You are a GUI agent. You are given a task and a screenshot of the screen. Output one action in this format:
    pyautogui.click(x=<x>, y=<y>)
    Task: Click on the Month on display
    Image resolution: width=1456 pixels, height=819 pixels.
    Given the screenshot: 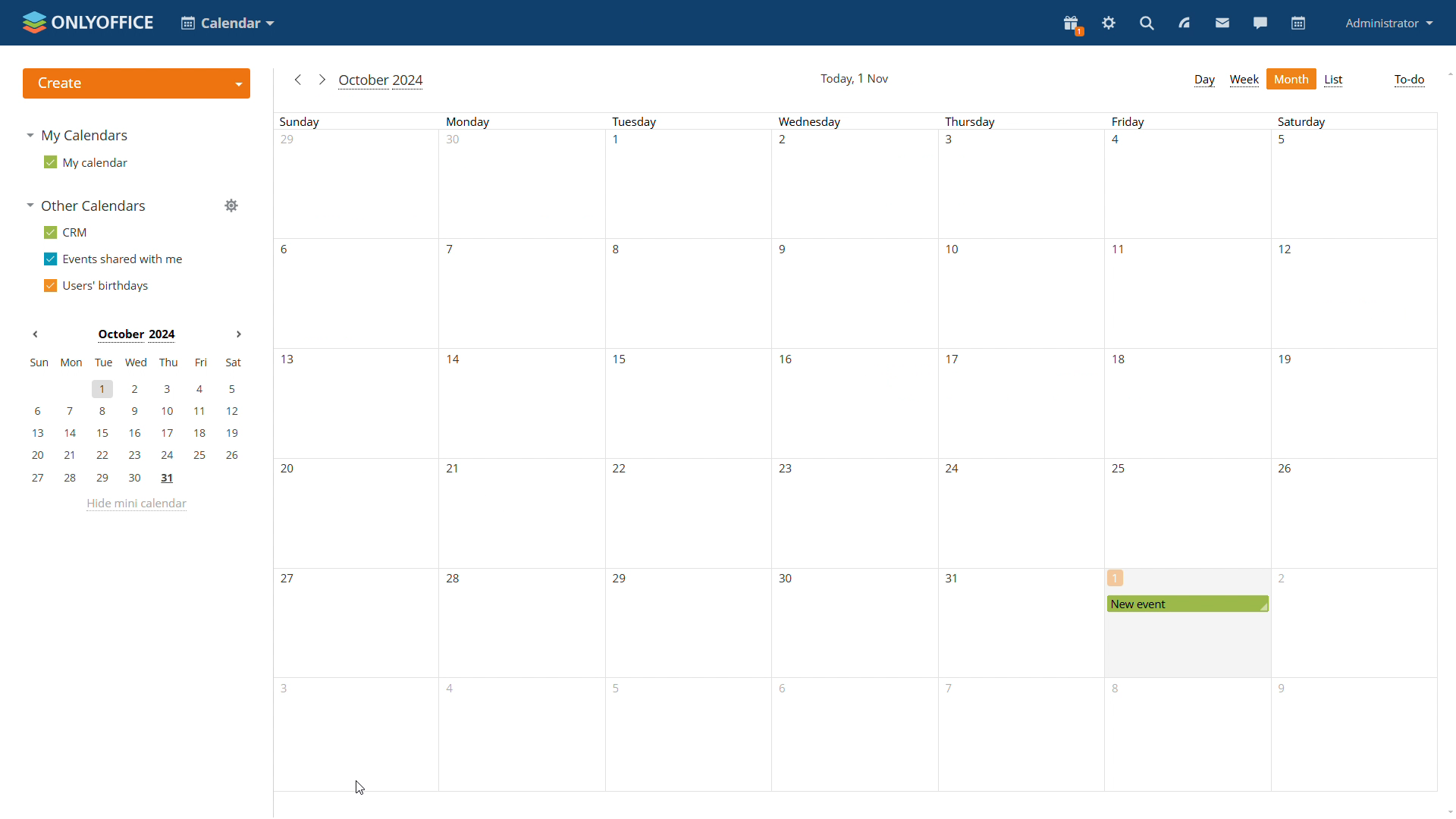 What is the action you would take?
    pyautogui.click(x=135, y=335)
    